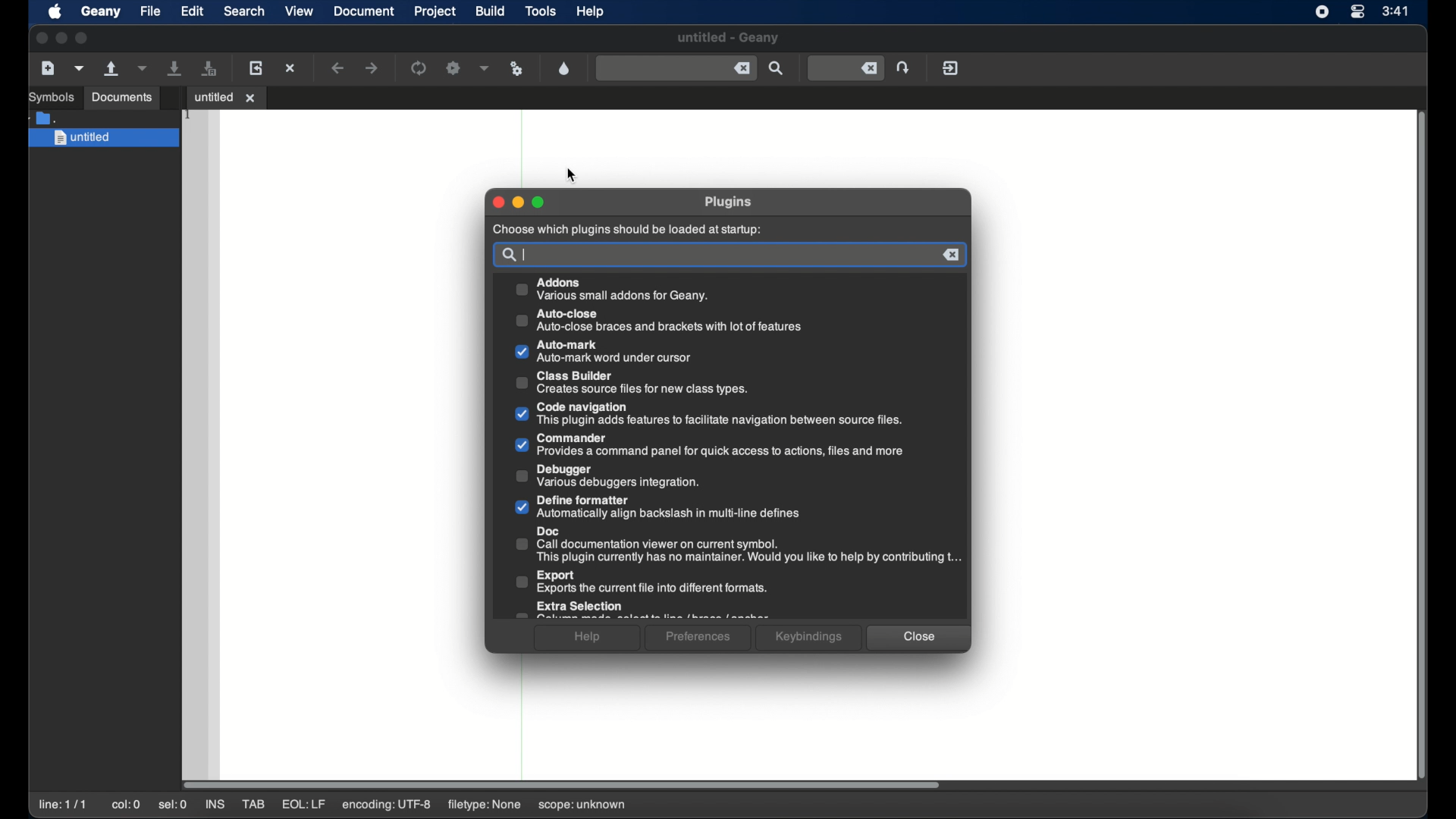  Describe the element at coordinates (43, 118) in the screenshot. I see `folder` at that location.